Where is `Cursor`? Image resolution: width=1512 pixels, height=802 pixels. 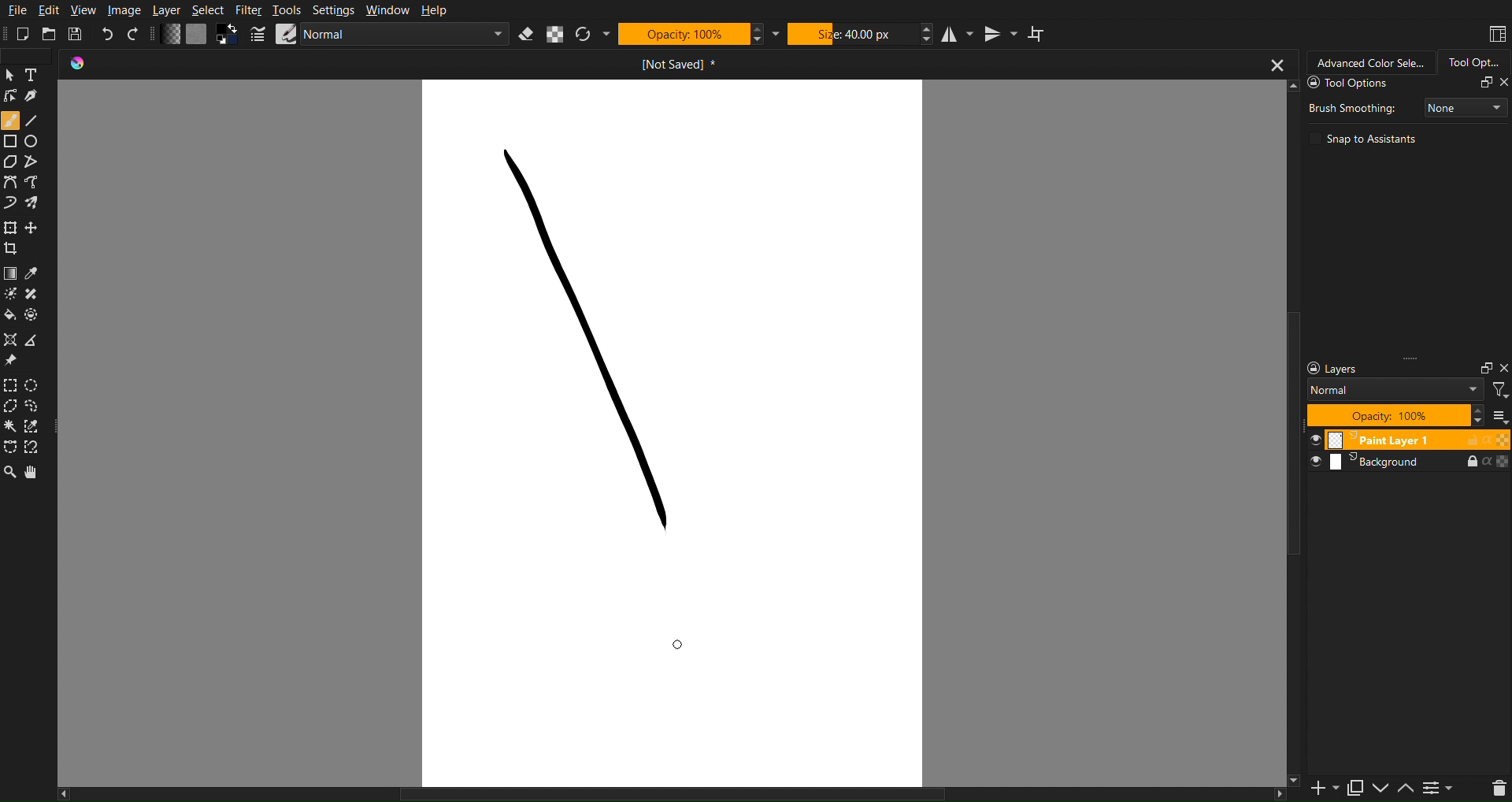 Cursor is located at coordinates (680, 645).